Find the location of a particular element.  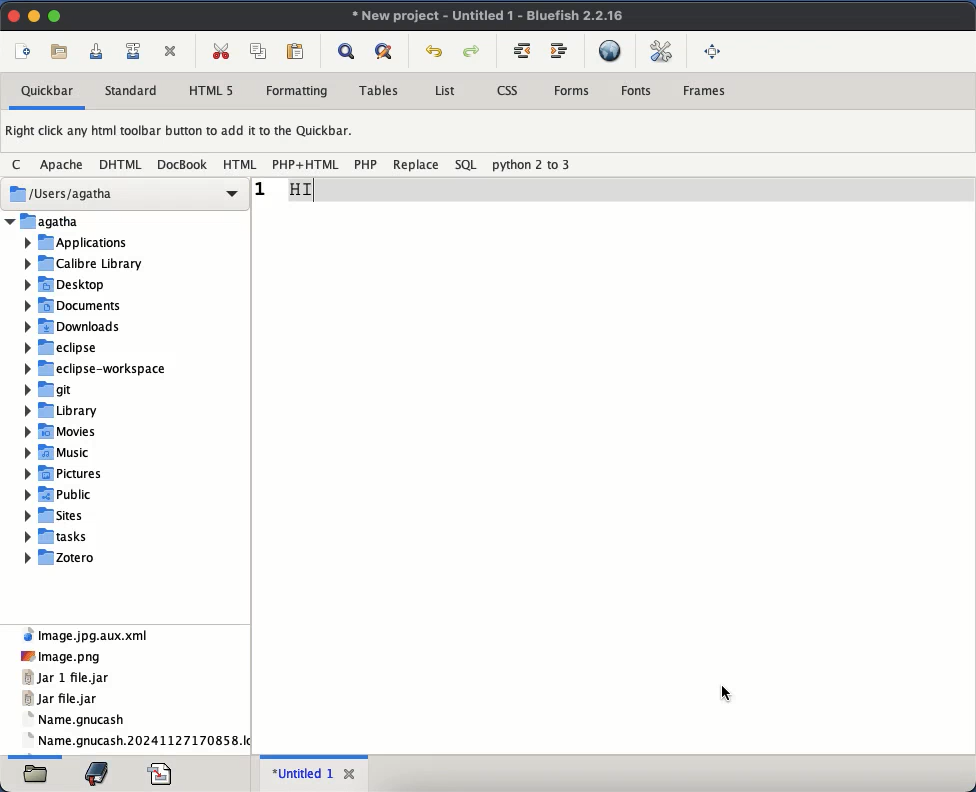

Movies is located at coordinates (59, 431).